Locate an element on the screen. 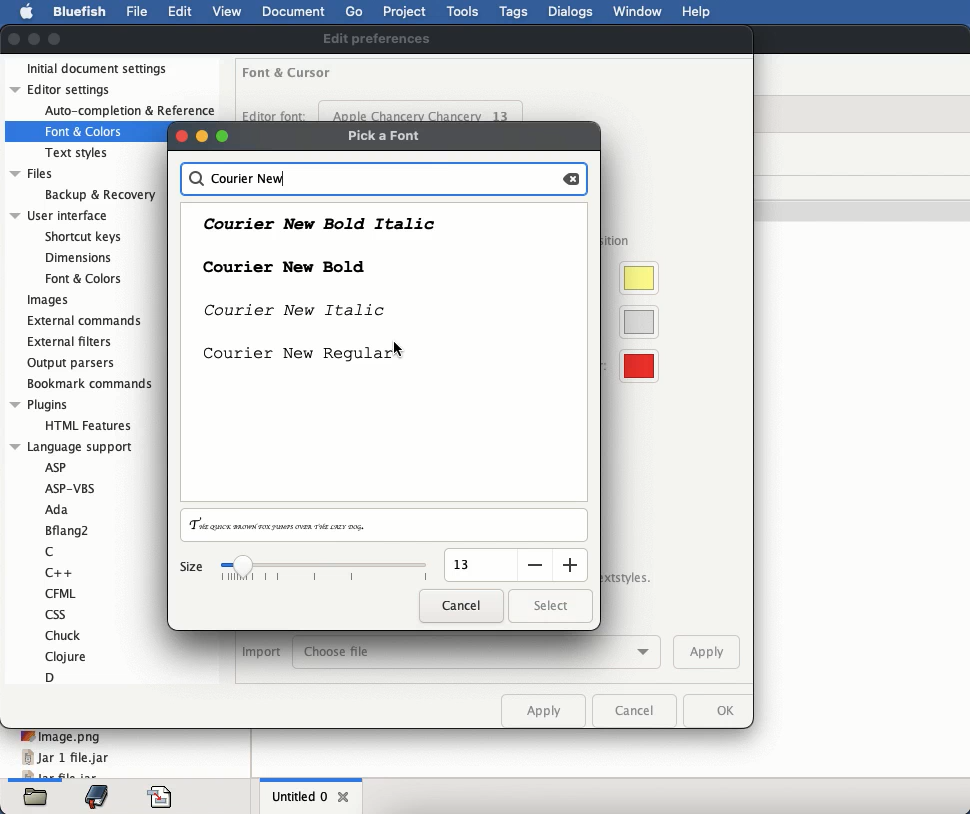  choose file is located at coordinates (475, 651).